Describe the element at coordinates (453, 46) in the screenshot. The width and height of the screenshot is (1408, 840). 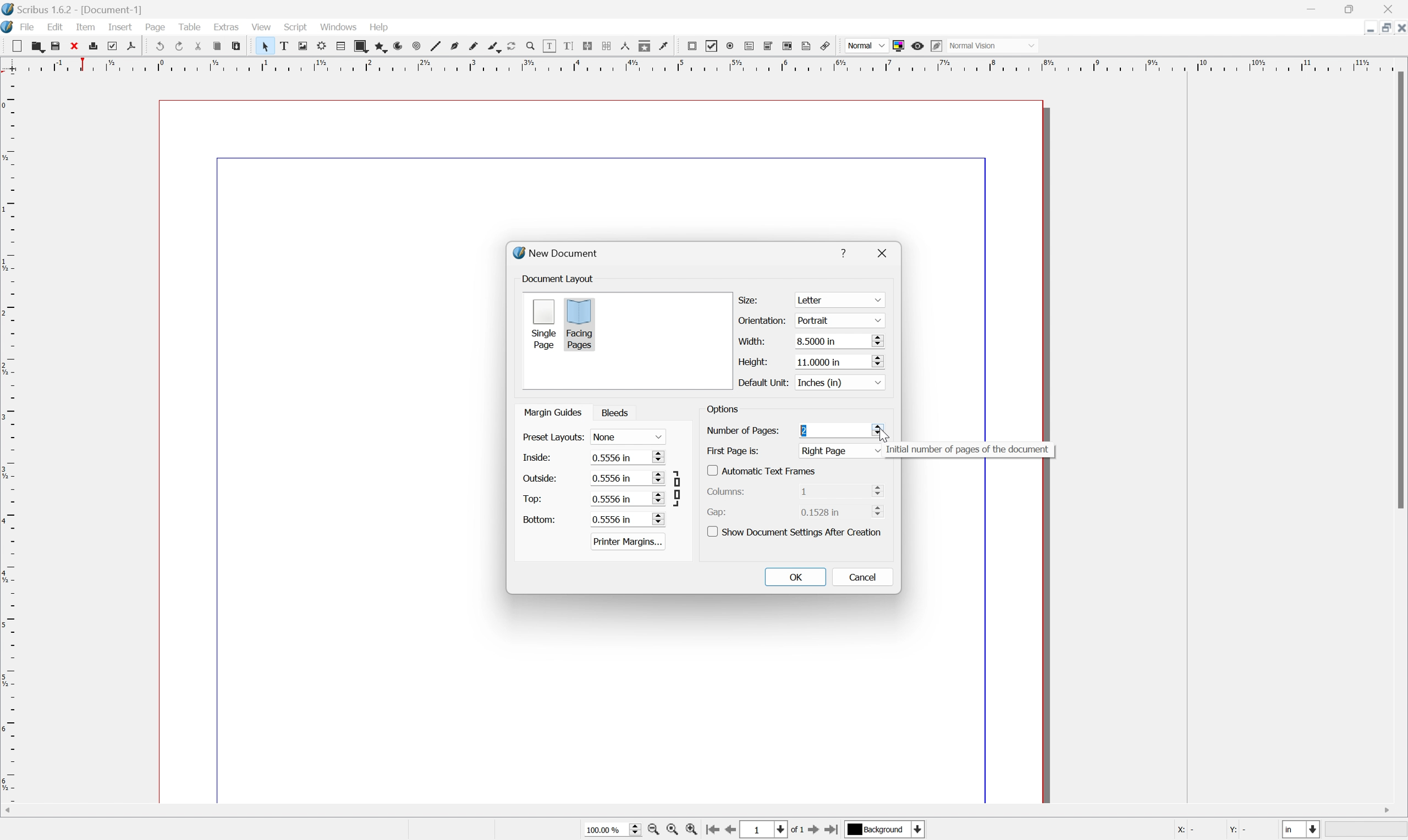
I see `Bezier curve` at that location.